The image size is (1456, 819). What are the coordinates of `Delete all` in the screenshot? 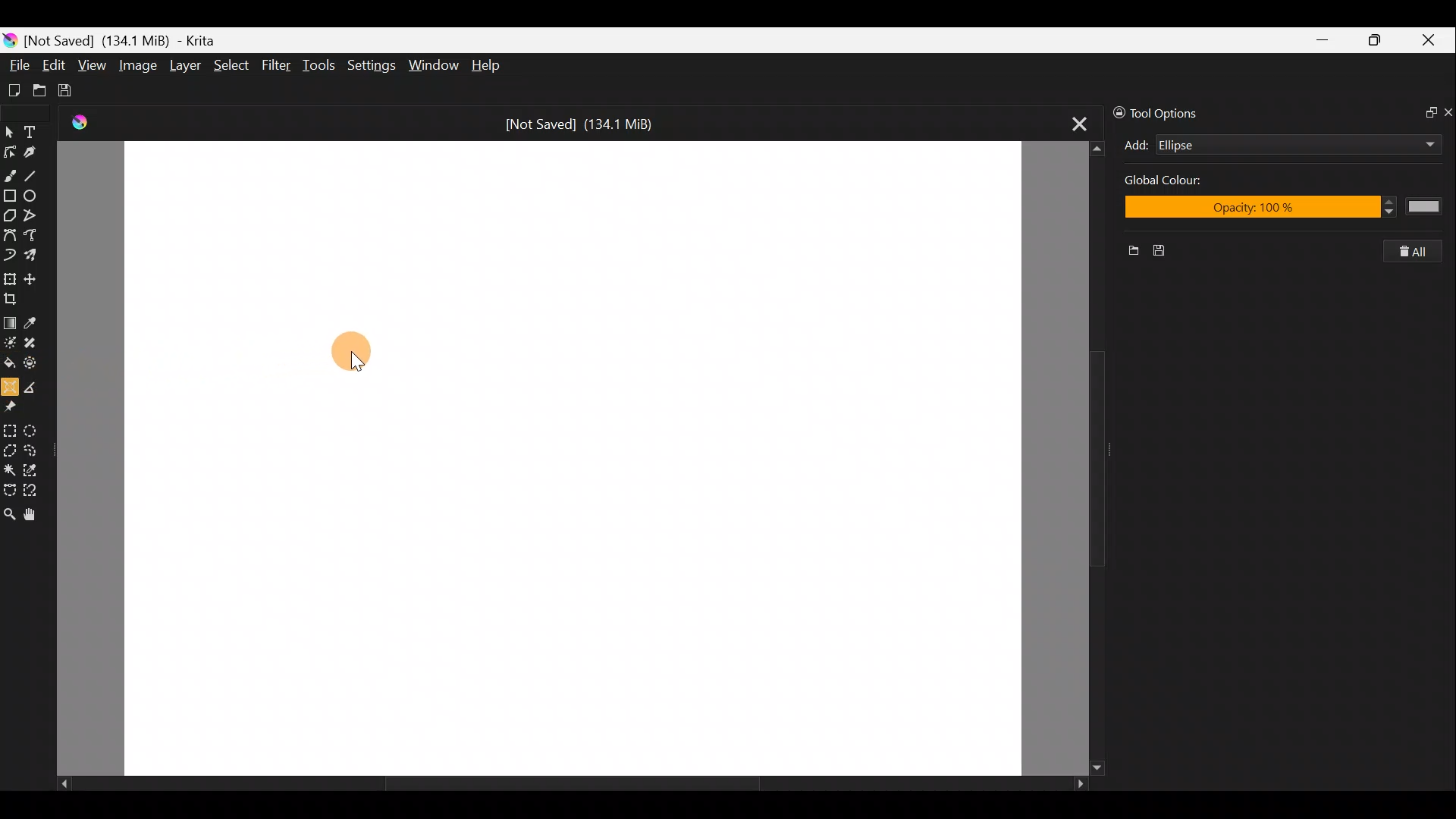 It's located at (1421, 252).